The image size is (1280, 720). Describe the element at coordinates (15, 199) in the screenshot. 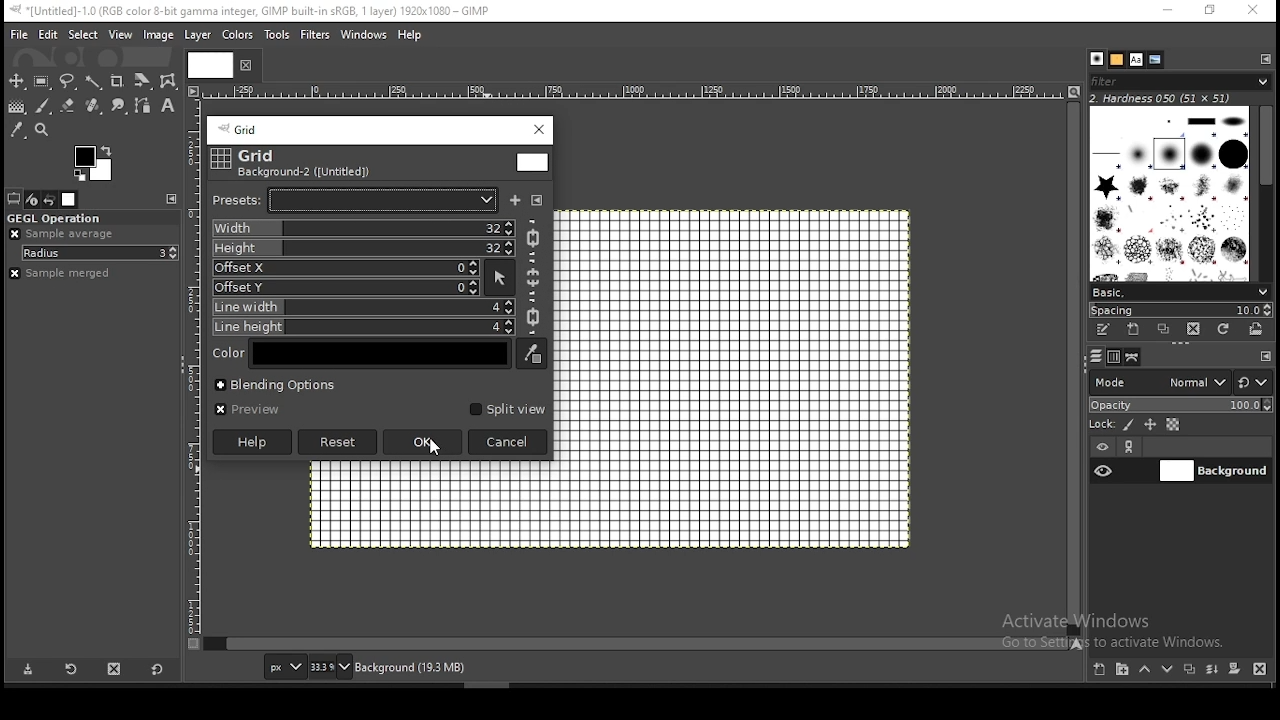

I see `tool options` at that location.